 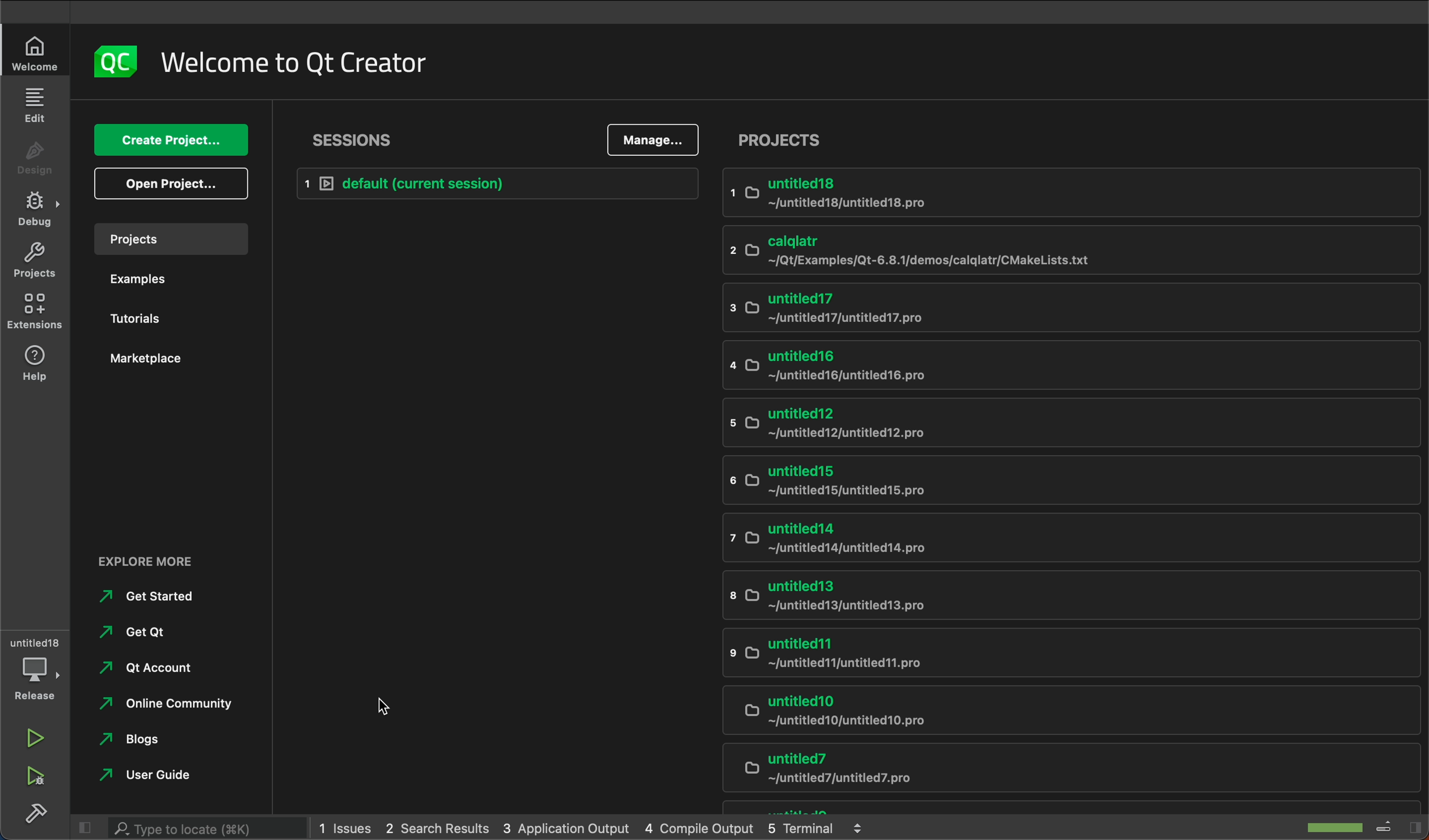 I want to click on help, so click(x=34, y=364).